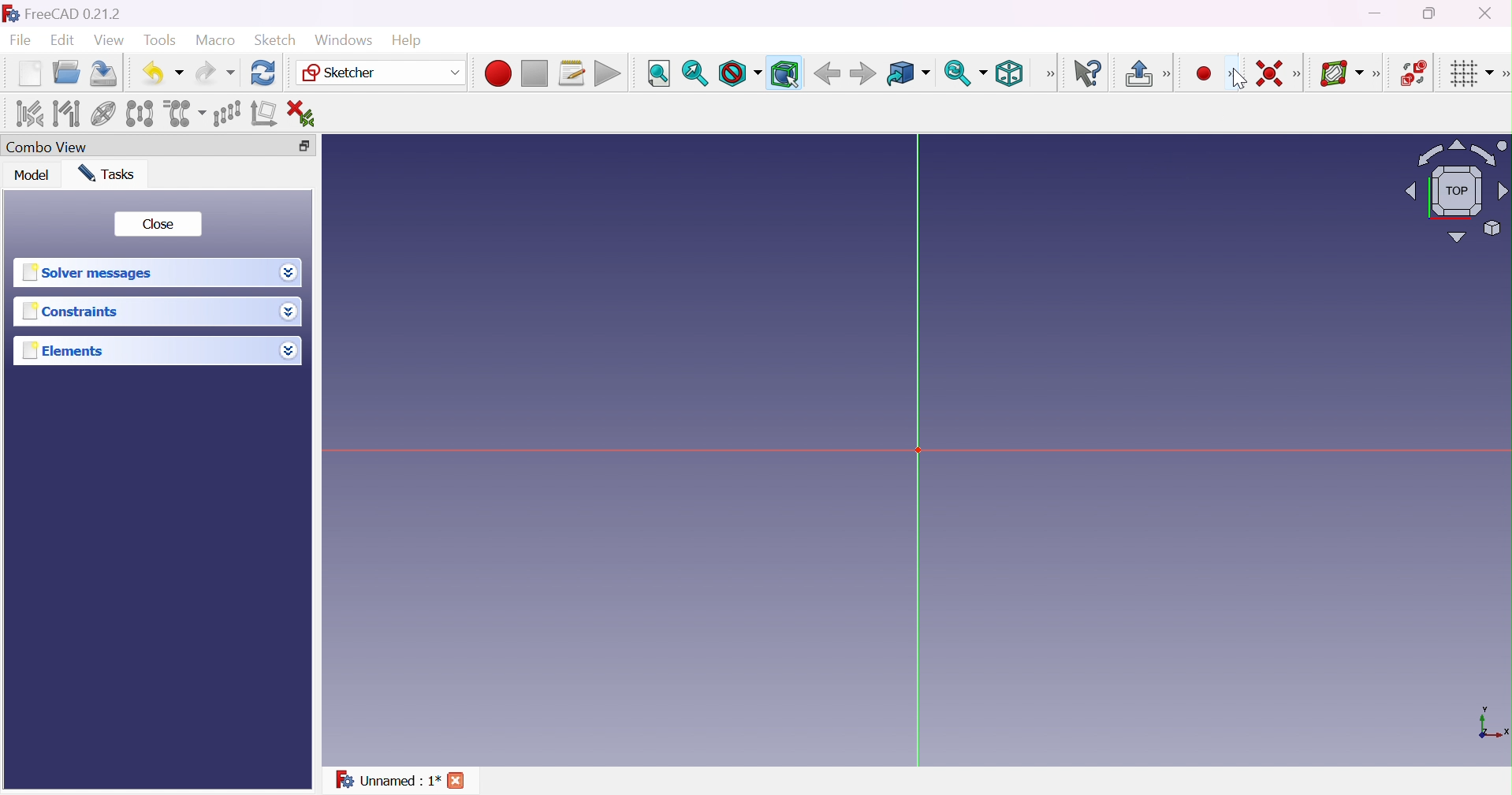  I want to click on Stop macros recording, so click(534, 74).